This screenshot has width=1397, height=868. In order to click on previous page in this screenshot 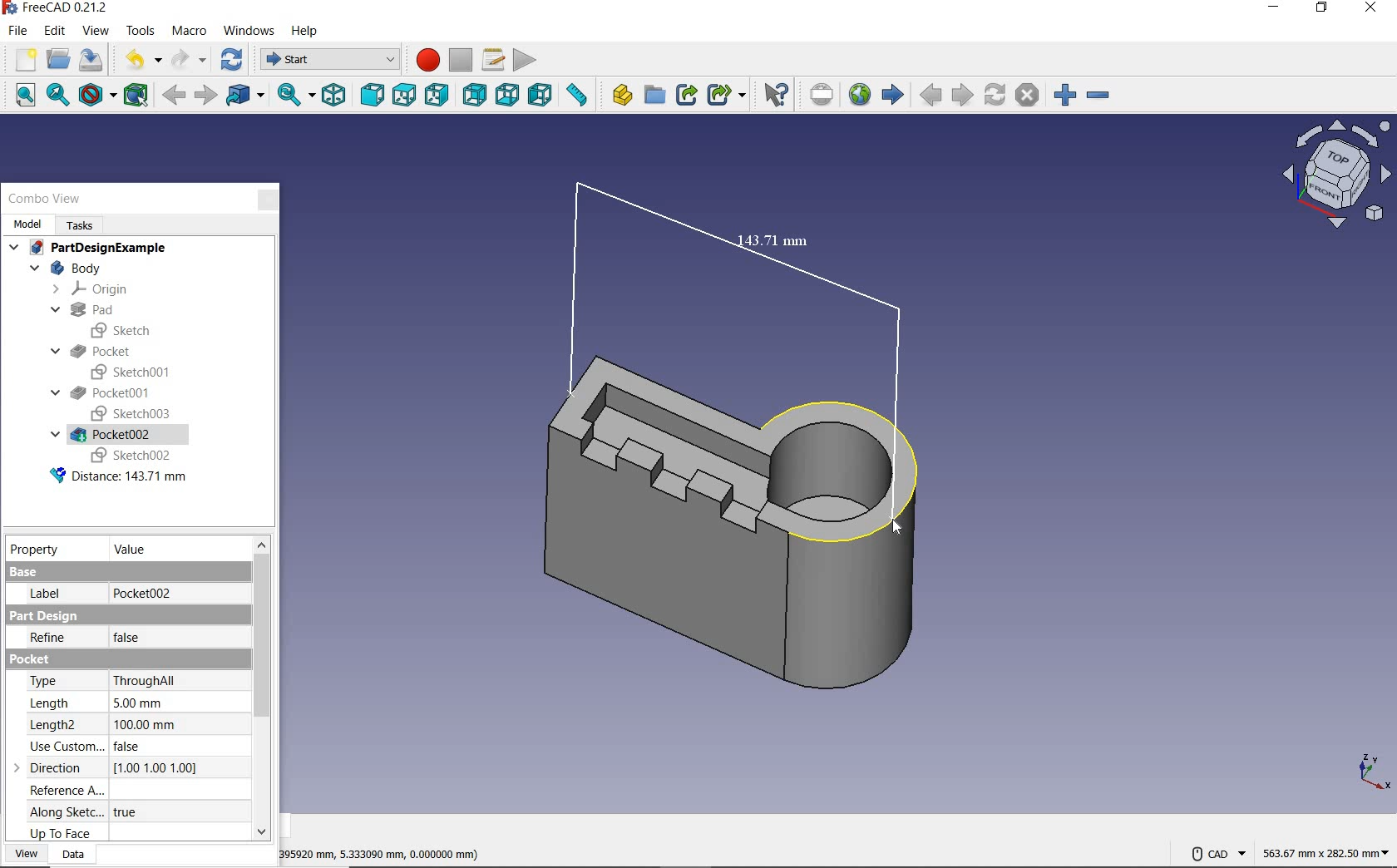, I will do `click(930, 96)`.